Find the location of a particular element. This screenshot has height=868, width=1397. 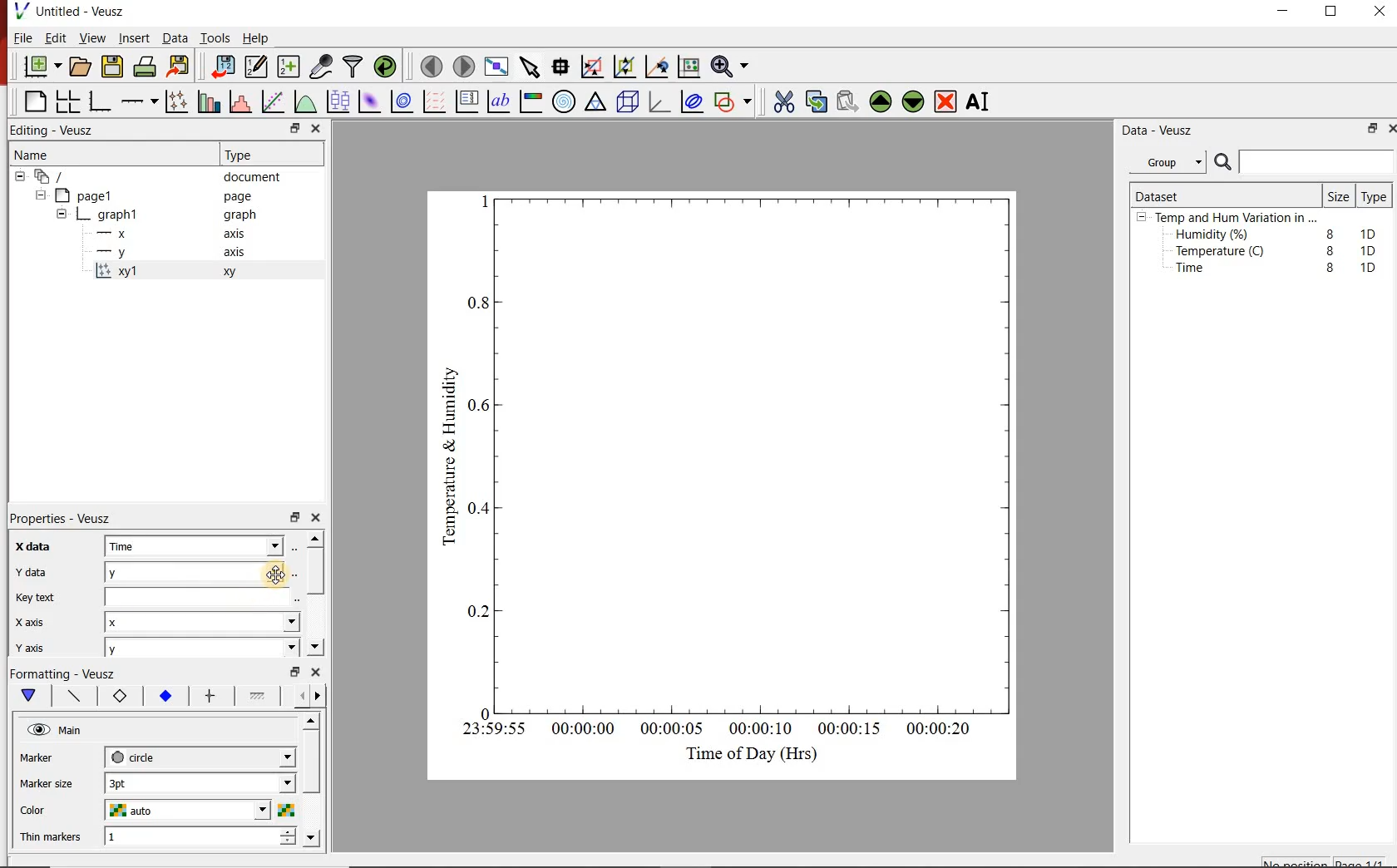

Editing - Veusz is located at coordinates (57, 130).